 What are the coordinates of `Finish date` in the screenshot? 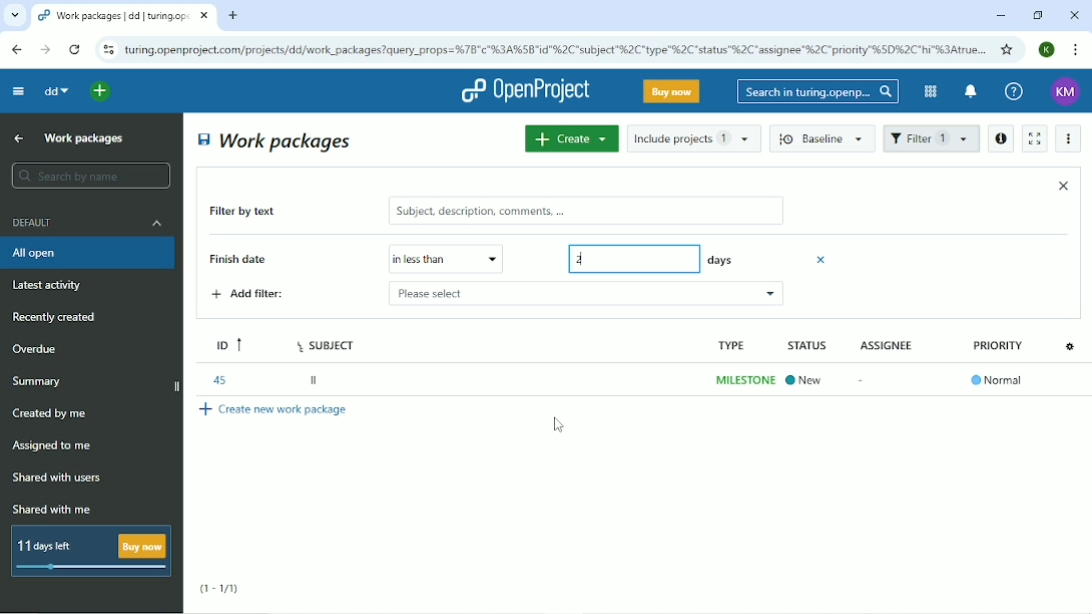 It's located at (254, 260).